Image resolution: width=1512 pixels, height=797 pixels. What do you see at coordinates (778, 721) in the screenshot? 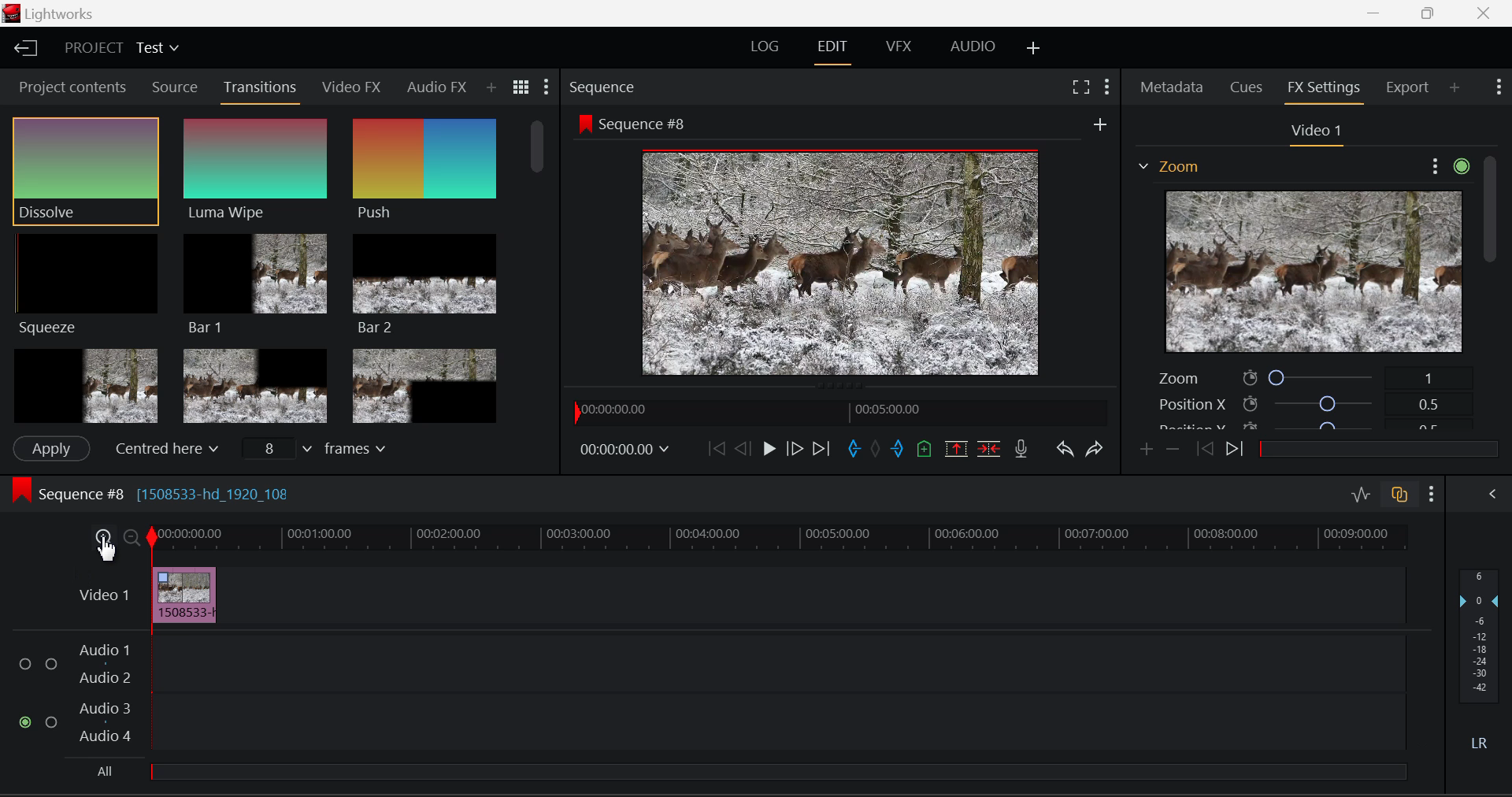
I see `Audio Input Field ` at bounding box center [778, 721].